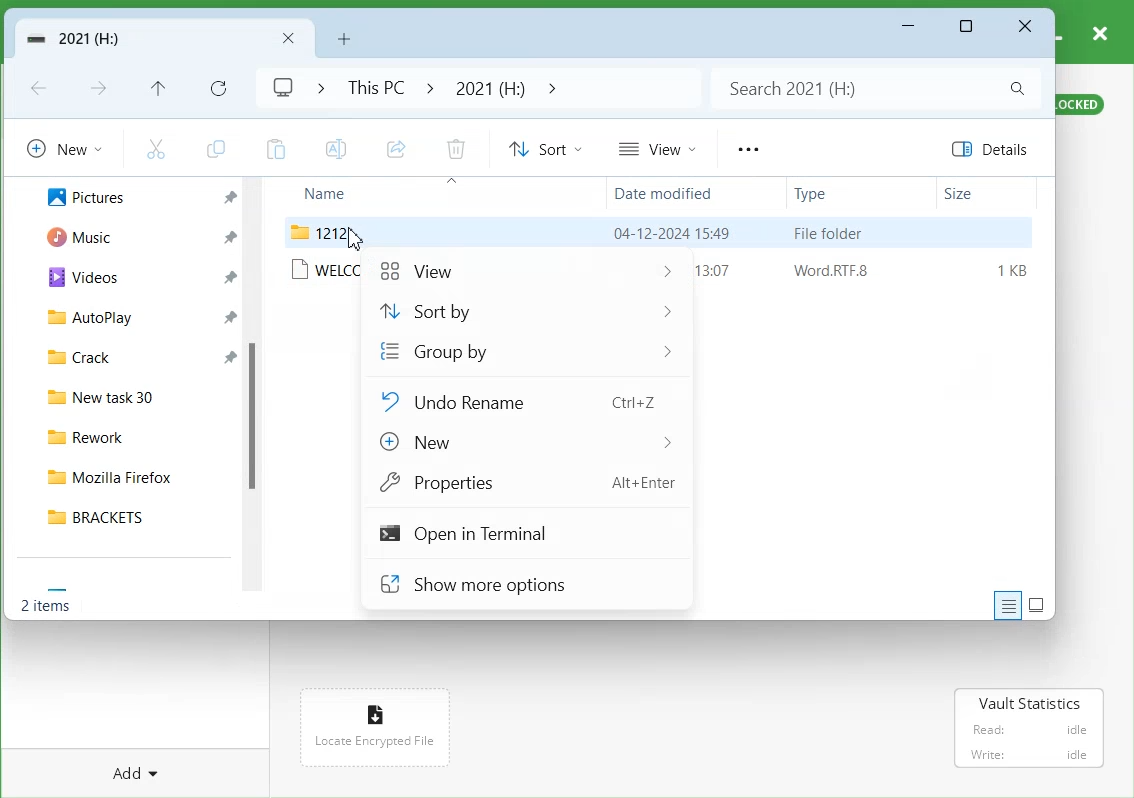  I want to click on Go Forward, so click(101, 90).